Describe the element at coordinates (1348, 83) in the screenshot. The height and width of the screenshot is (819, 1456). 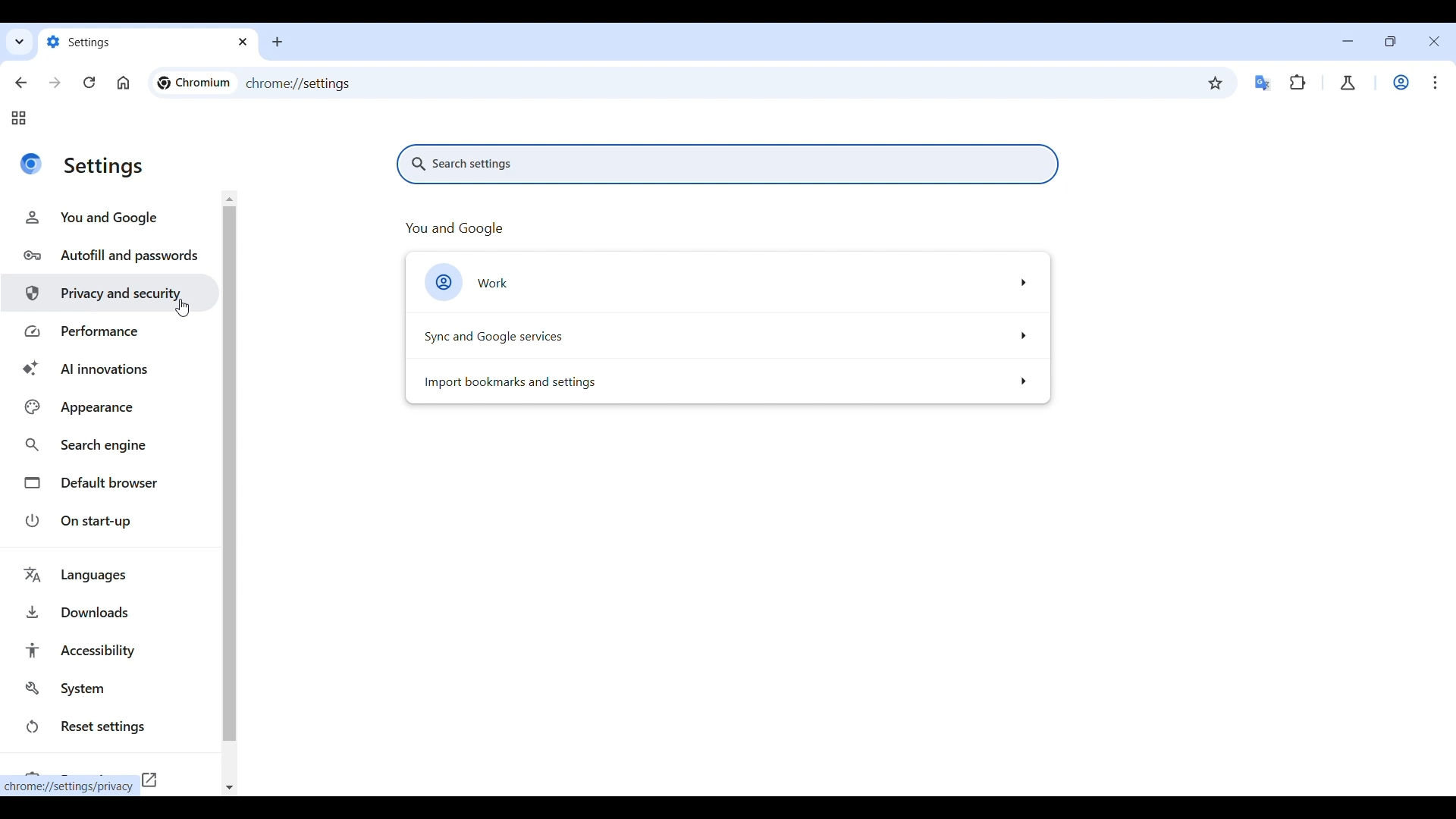
I see `Chrome labs` at that location.